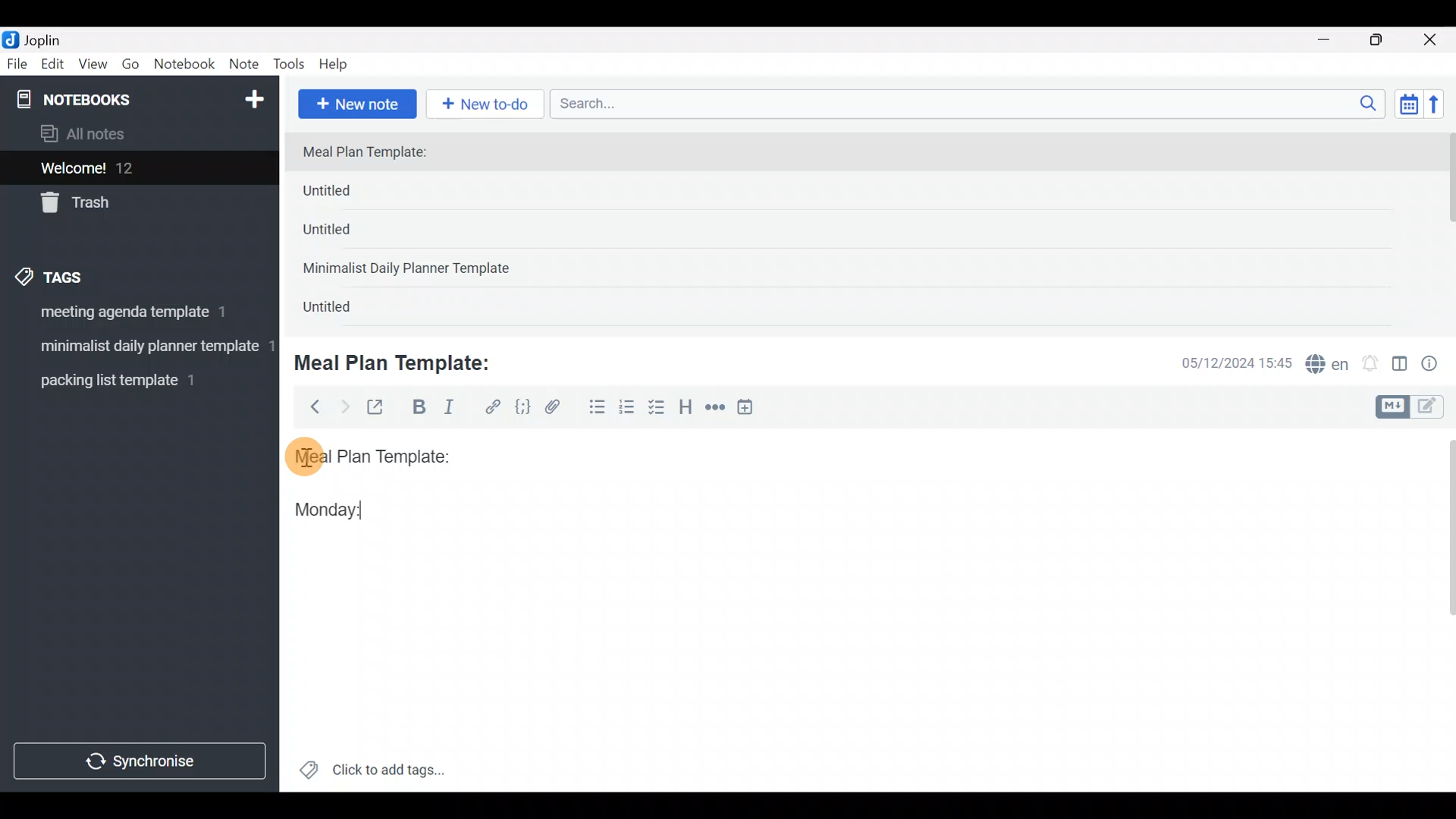 This screenshot has width=1456, height=819. What do you see at coordinates (344, 310) in the screenshot?
I see `Untitled` at bounding box center [344, 310].